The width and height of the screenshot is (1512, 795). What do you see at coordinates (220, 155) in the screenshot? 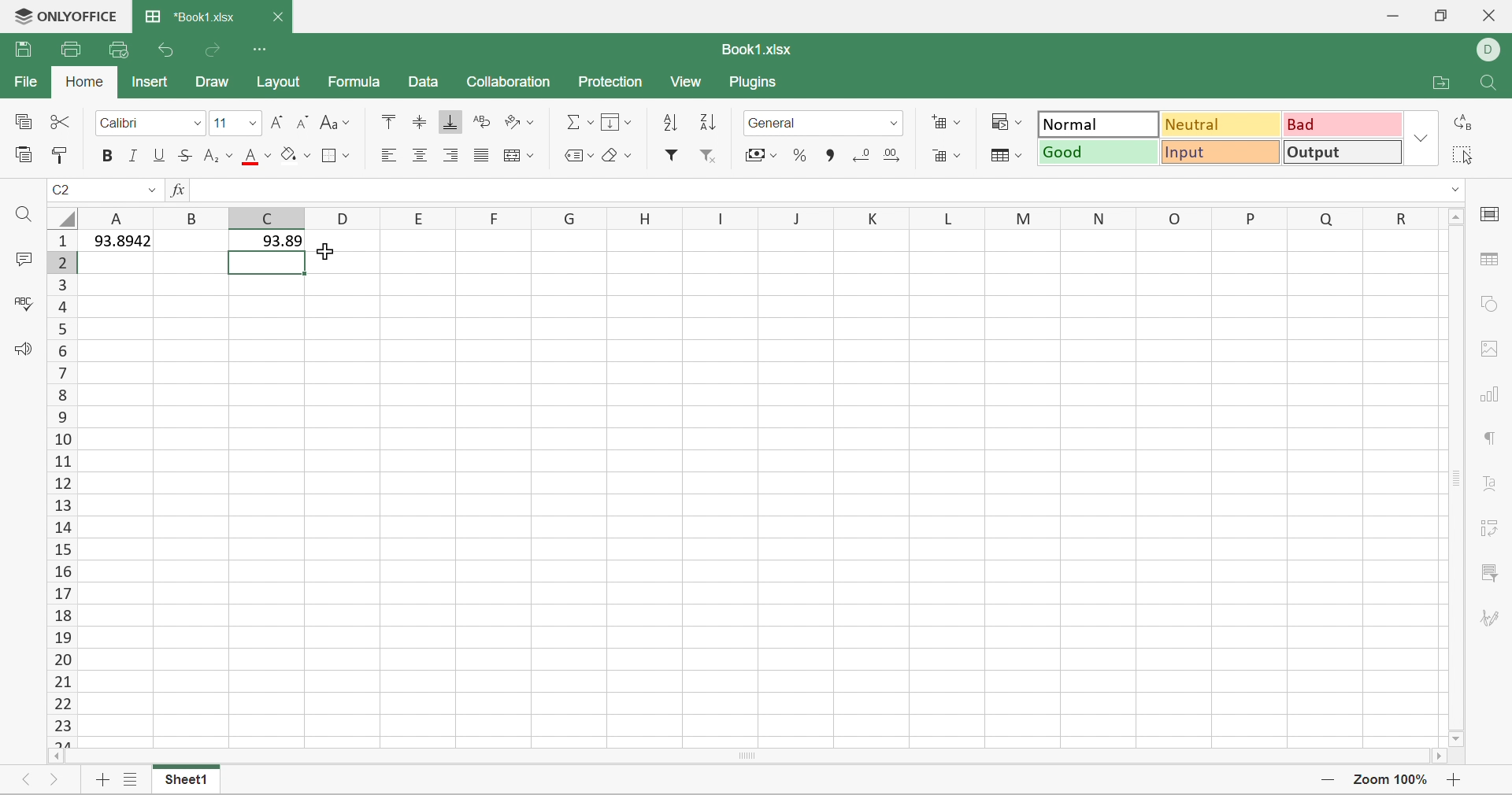
I see `Superscript / subscript` at bounding box center [220, 155].